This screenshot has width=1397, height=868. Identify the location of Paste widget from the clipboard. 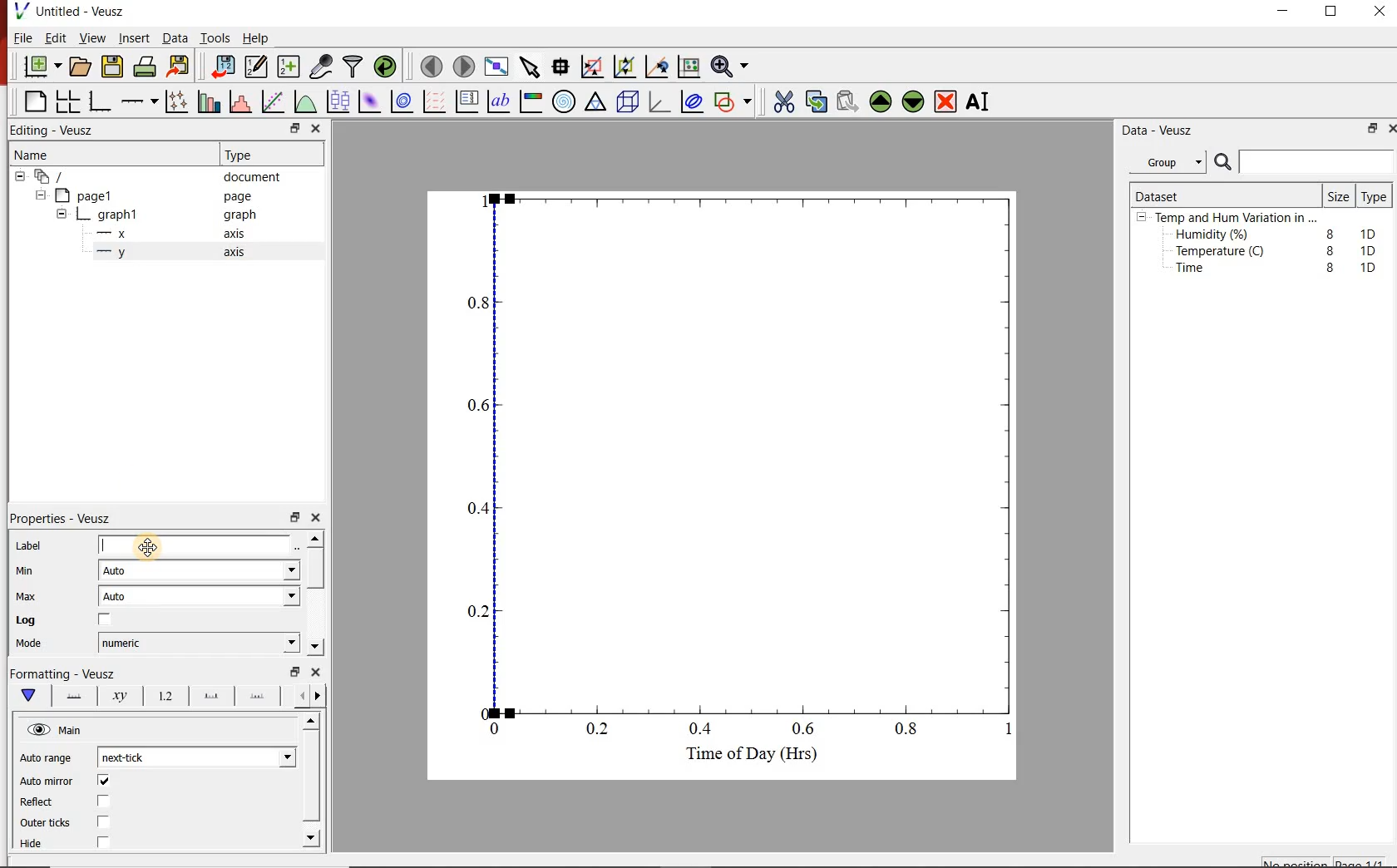
(848, 101).